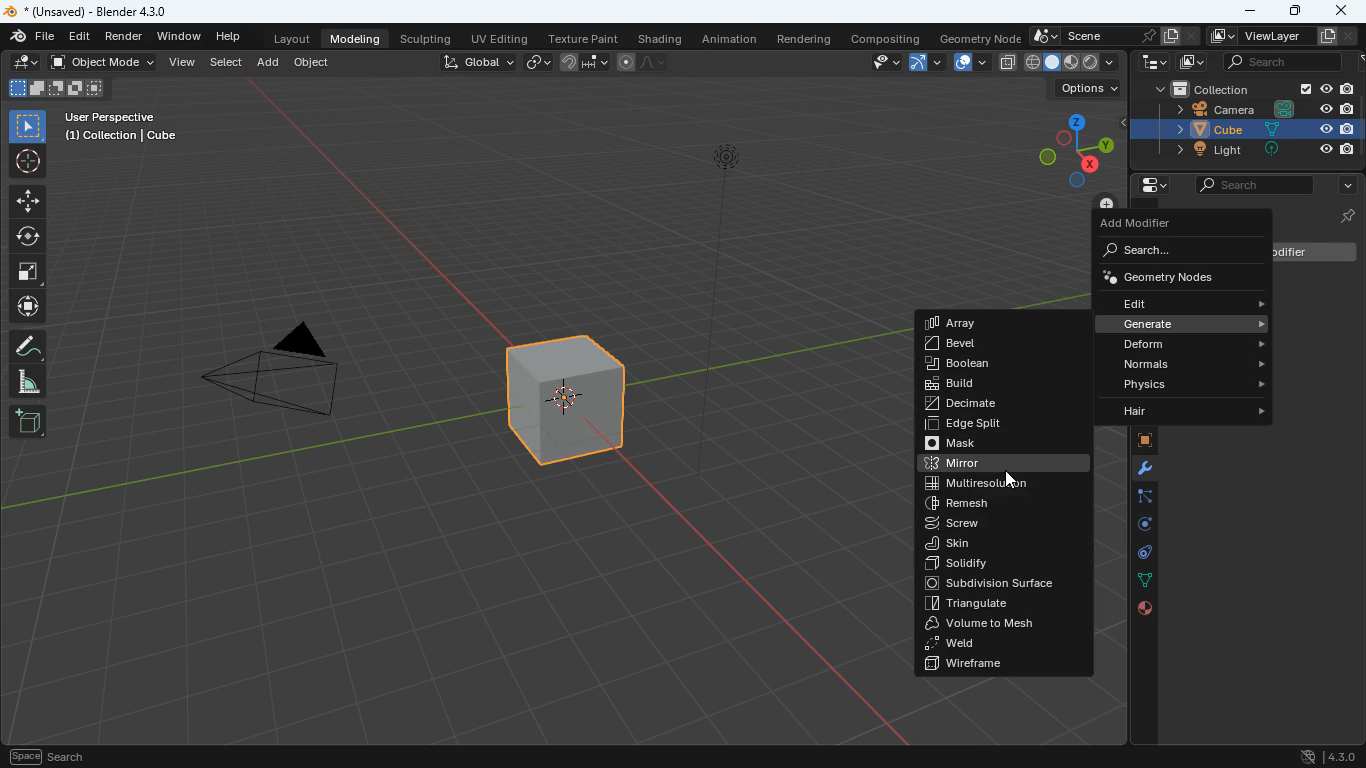  I want to click on add, so click(269, 63).